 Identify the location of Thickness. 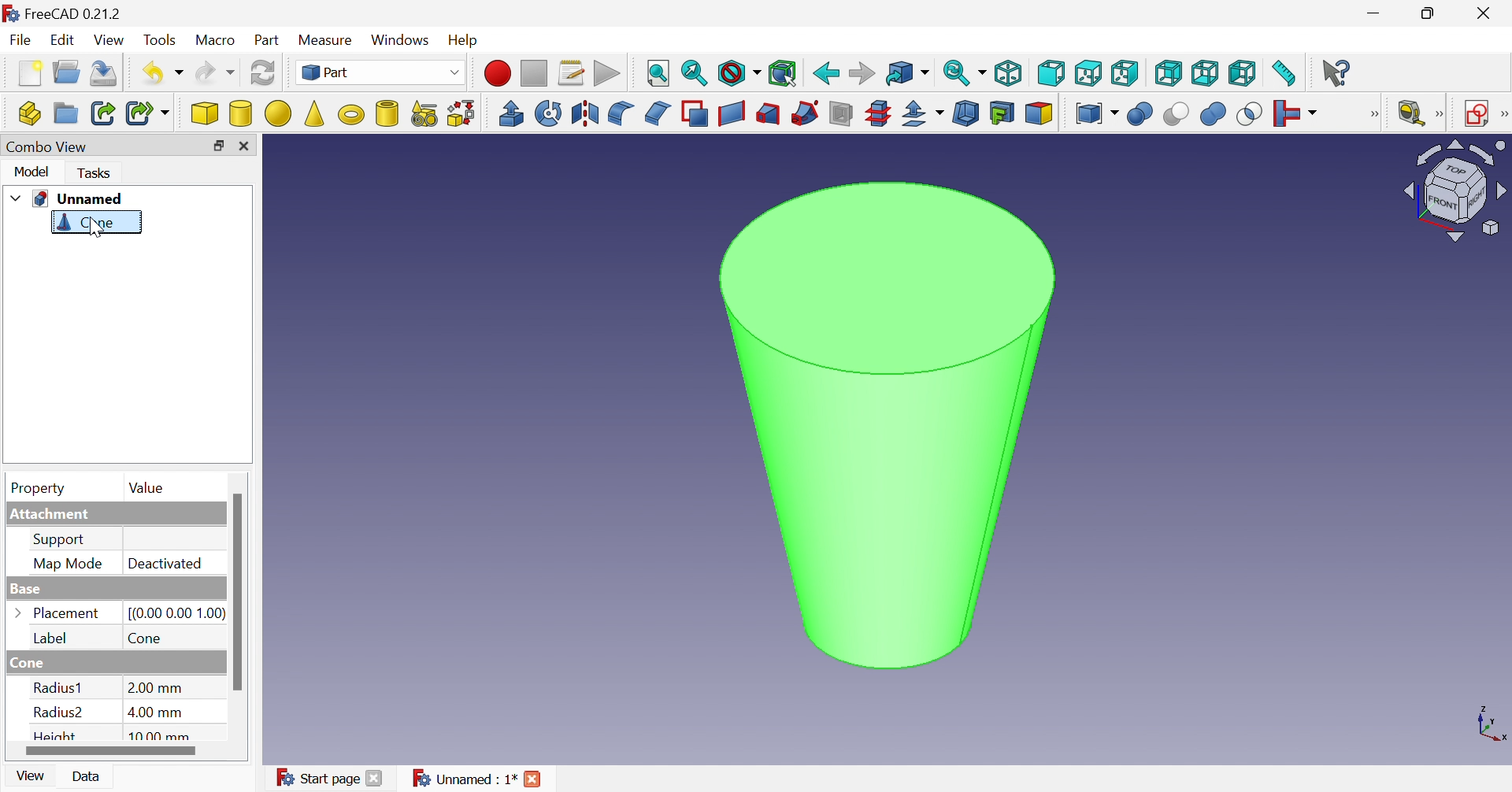
(965, 114).